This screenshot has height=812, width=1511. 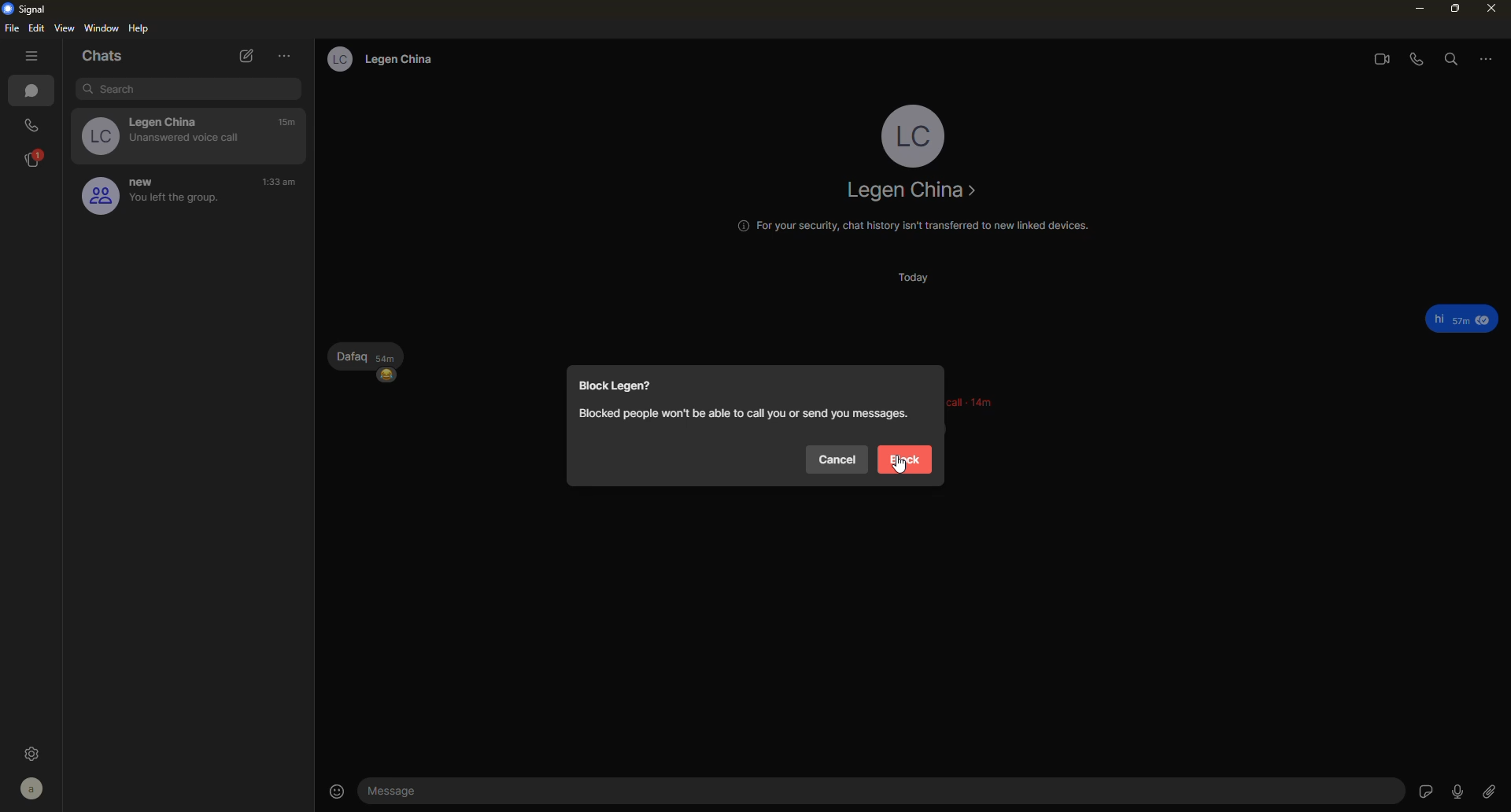 What do you see at coordinates (338, 789) in the screenshot?
I see `emoji` at bounding box center [338, 789].